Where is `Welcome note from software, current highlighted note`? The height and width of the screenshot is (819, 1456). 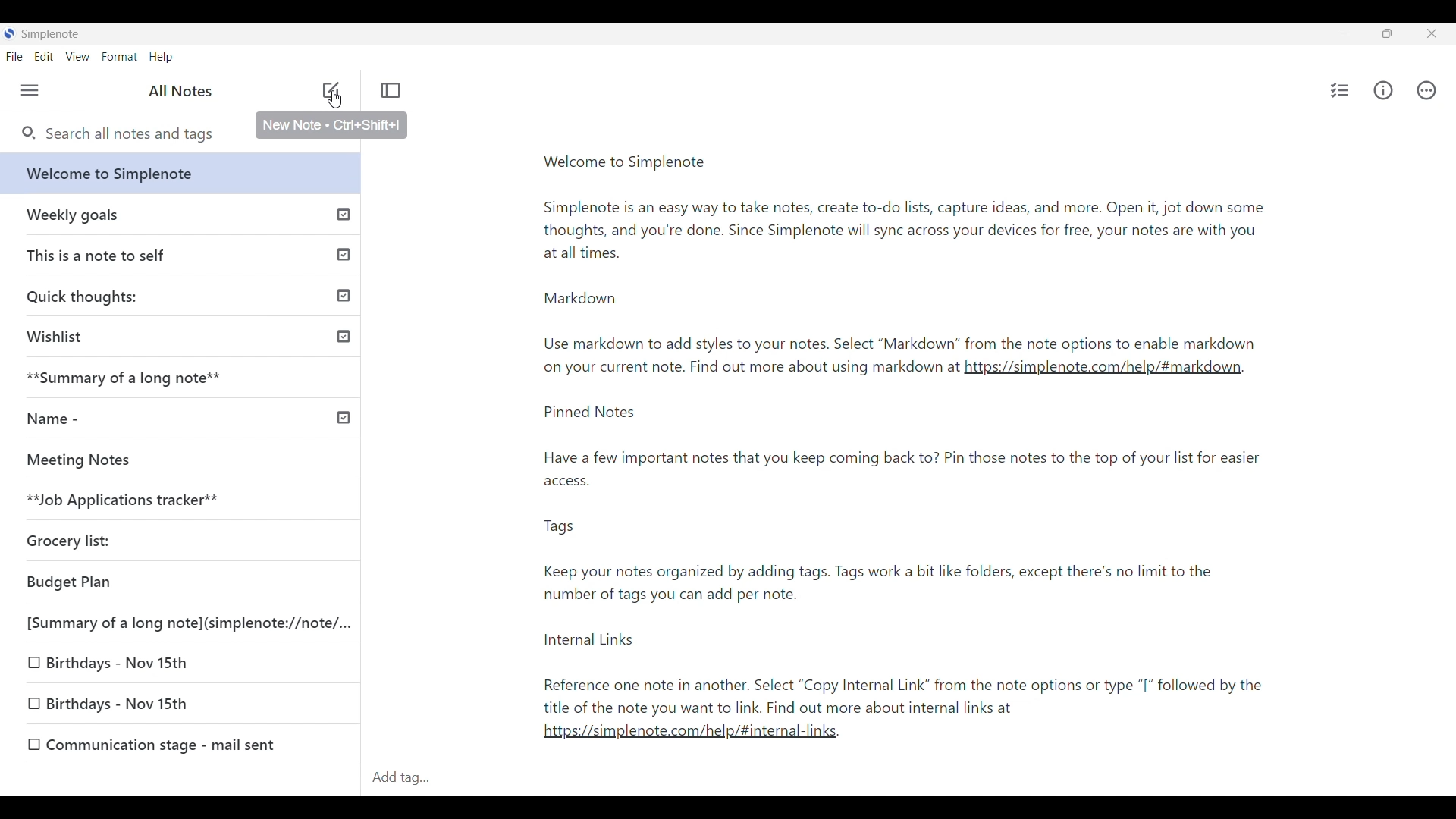 Welcome note from software, current highlighted note is located at coordinates (180, 174).